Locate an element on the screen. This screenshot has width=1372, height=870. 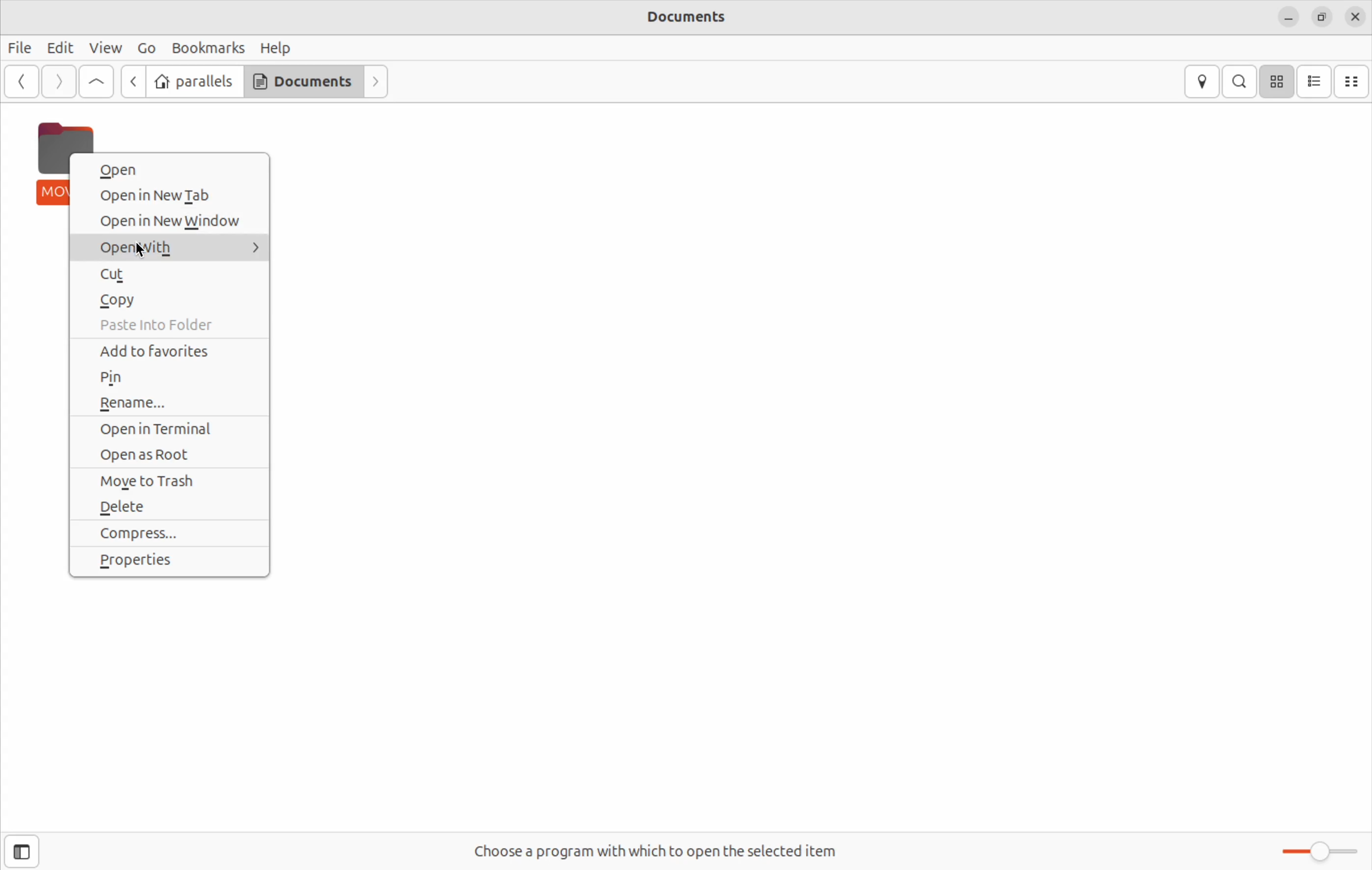
properties is located at coordinates (174, 560).